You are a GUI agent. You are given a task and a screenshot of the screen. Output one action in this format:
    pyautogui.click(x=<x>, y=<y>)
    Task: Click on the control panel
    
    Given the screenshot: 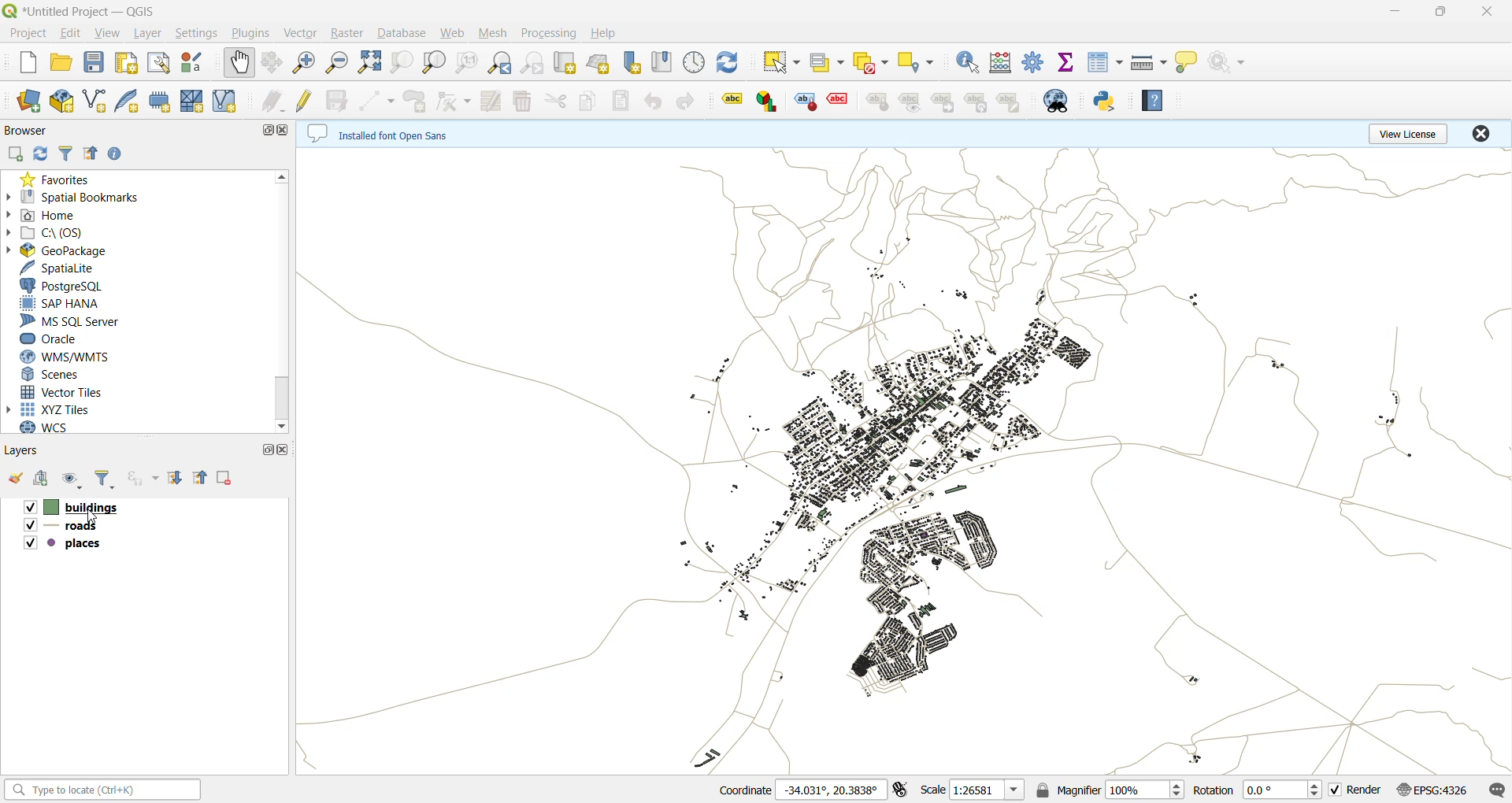 What is the action you would take?
    pyautogui.click(x=695, y=63)
    